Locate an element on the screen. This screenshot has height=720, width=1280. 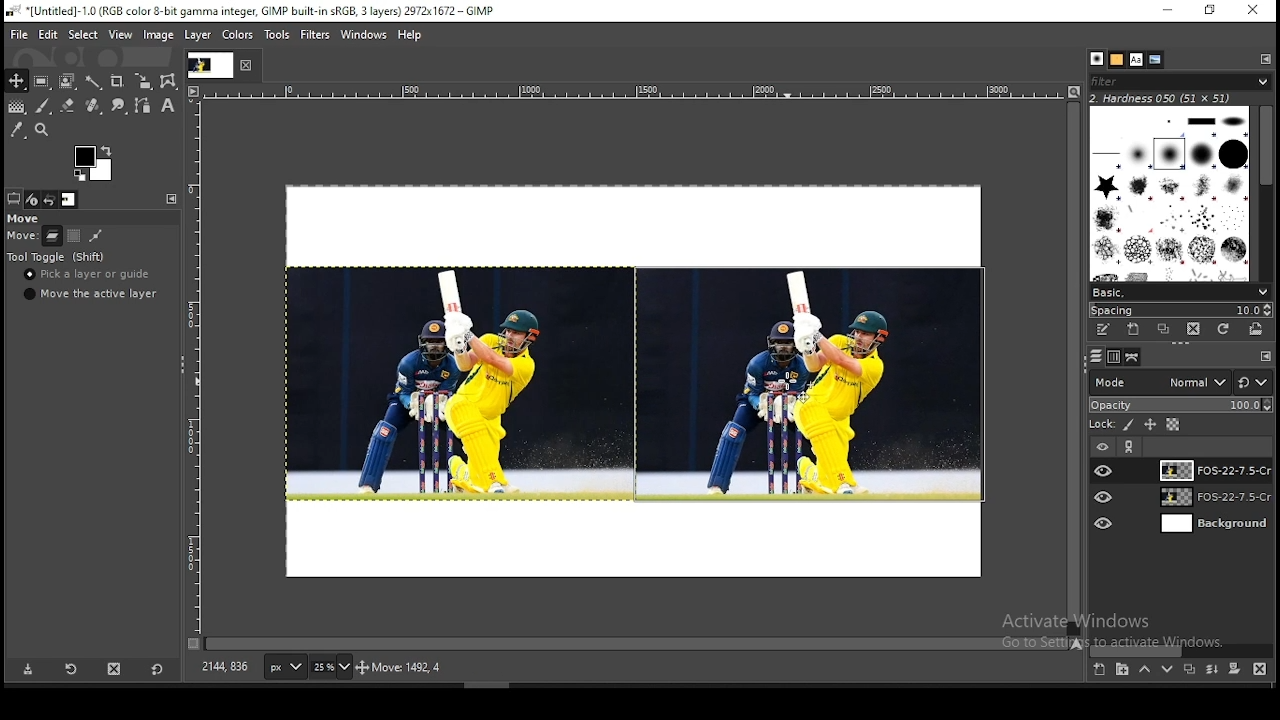
crop tool is located at coordinates (116, 80).